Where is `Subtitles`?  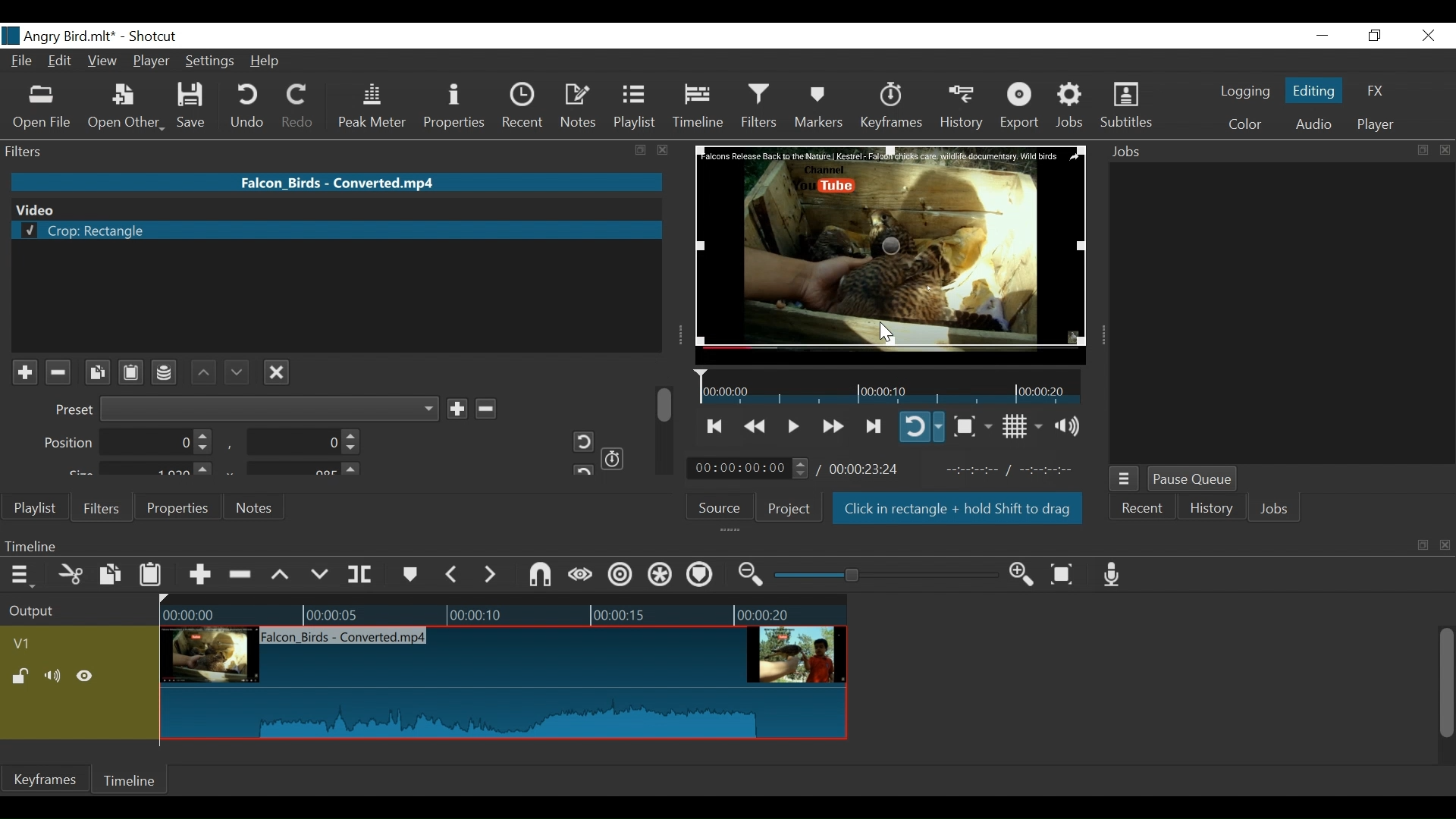
Subtitles is located at coordinates (1126, 105).